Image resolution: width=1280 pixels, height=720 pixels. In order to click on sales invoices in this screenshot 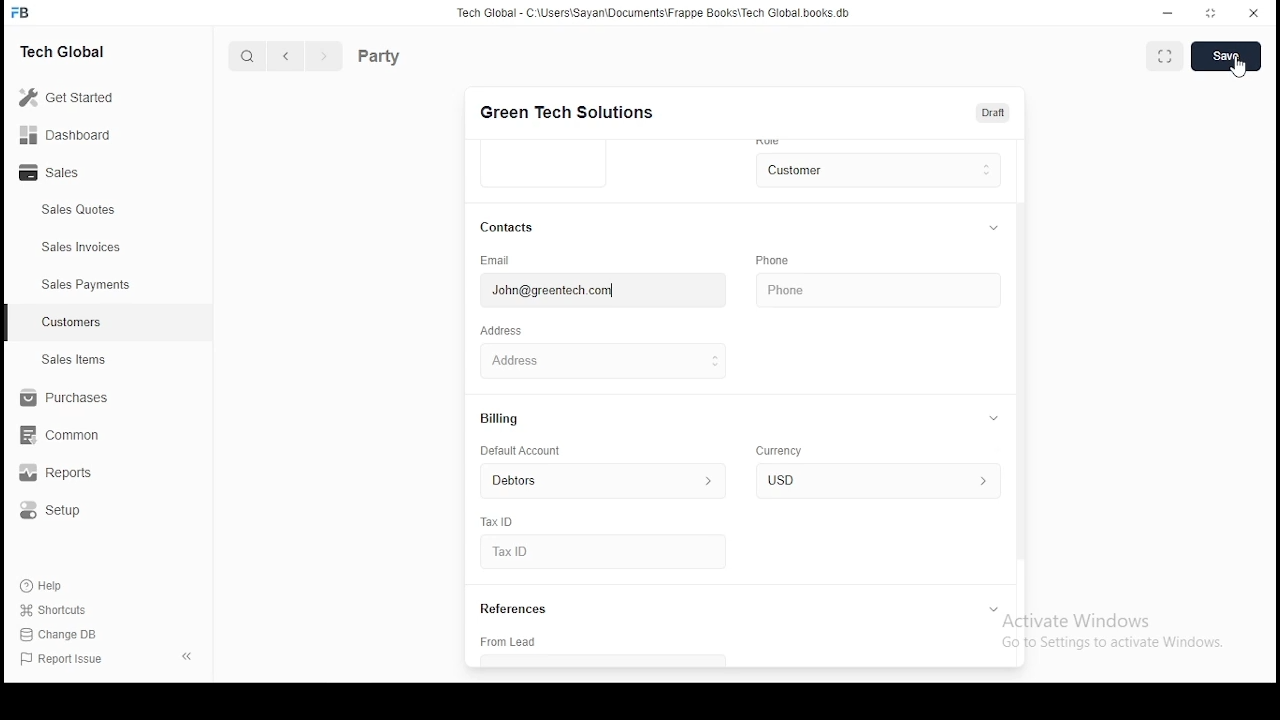, I will do `click(80, 247)`.